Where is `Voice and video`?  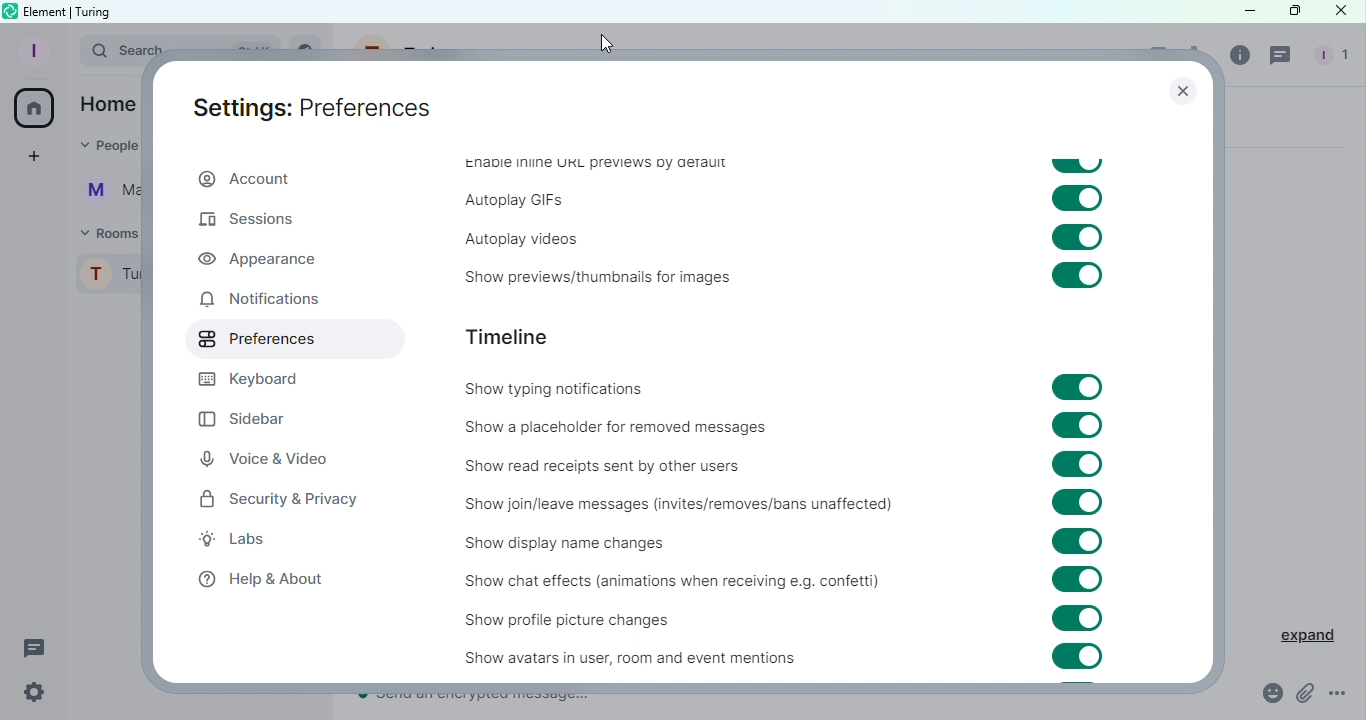
Voice and video is located at coordinates (266, 458).